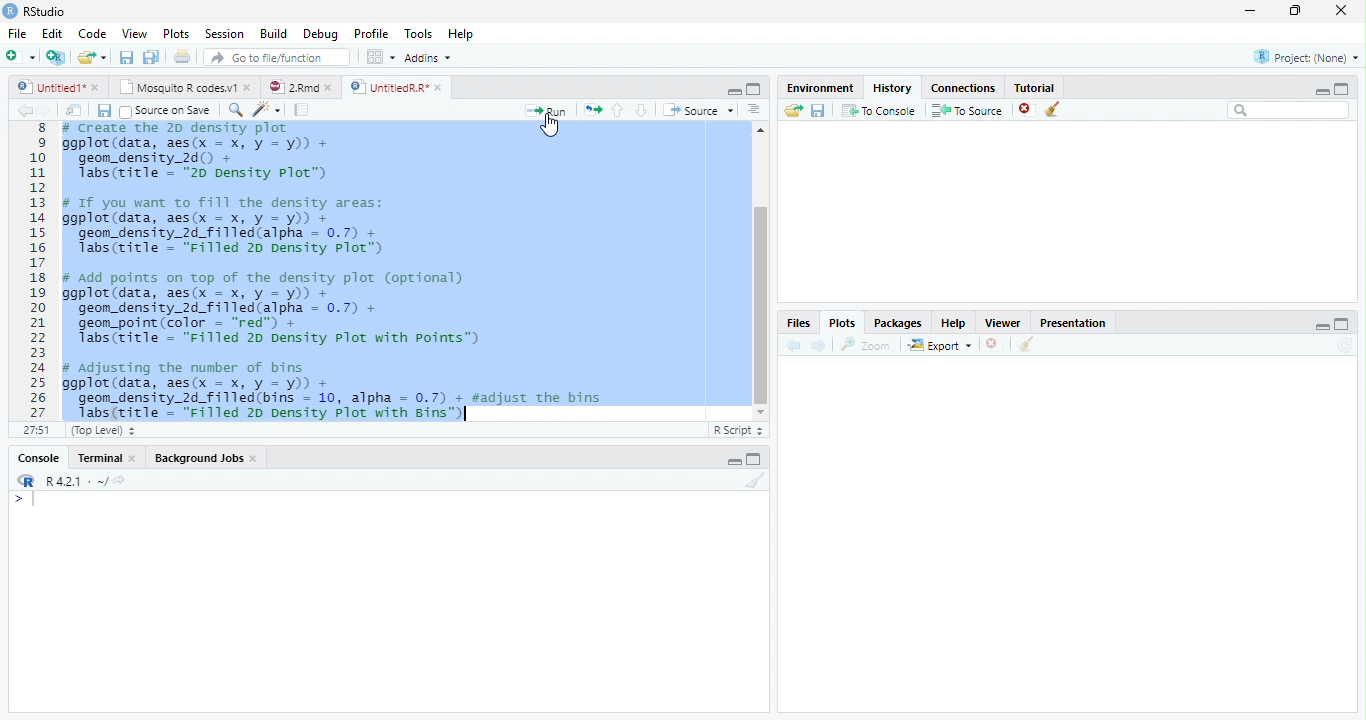 This screenshot has width=1366, height=720. I want to click on Code, so click(94, 35).